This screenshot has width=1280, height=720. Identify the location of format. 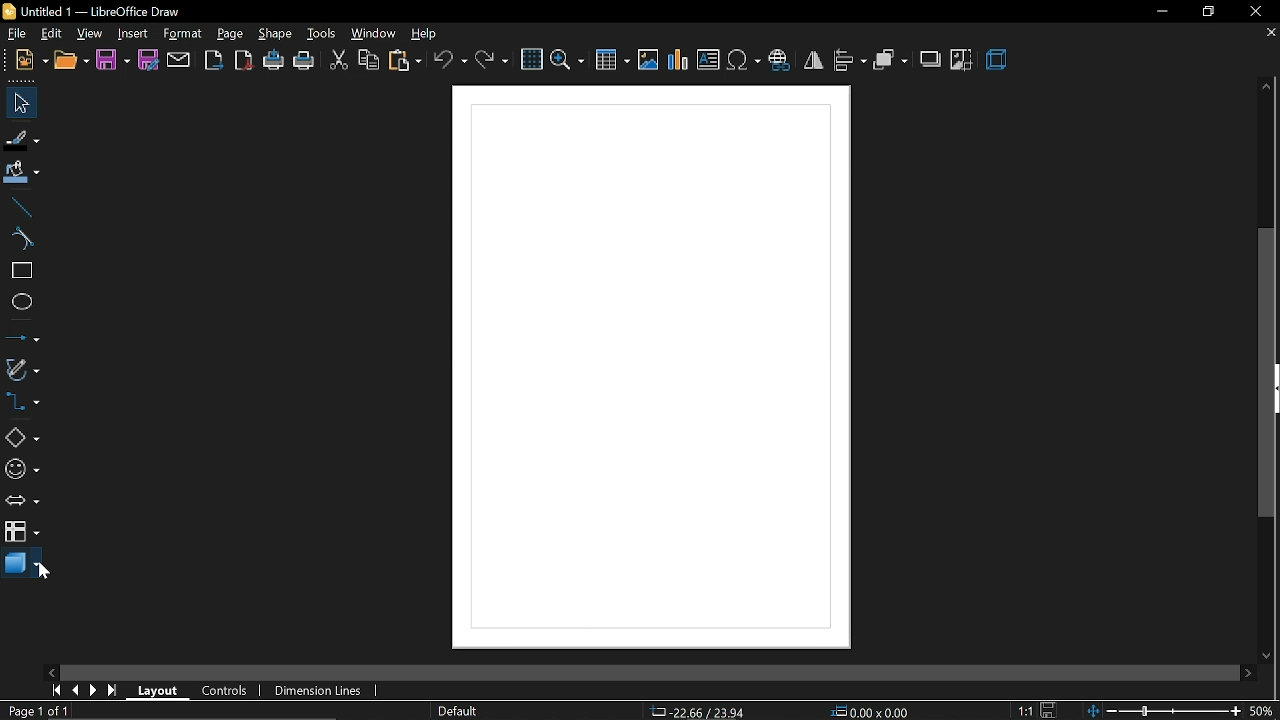
(183, 33).